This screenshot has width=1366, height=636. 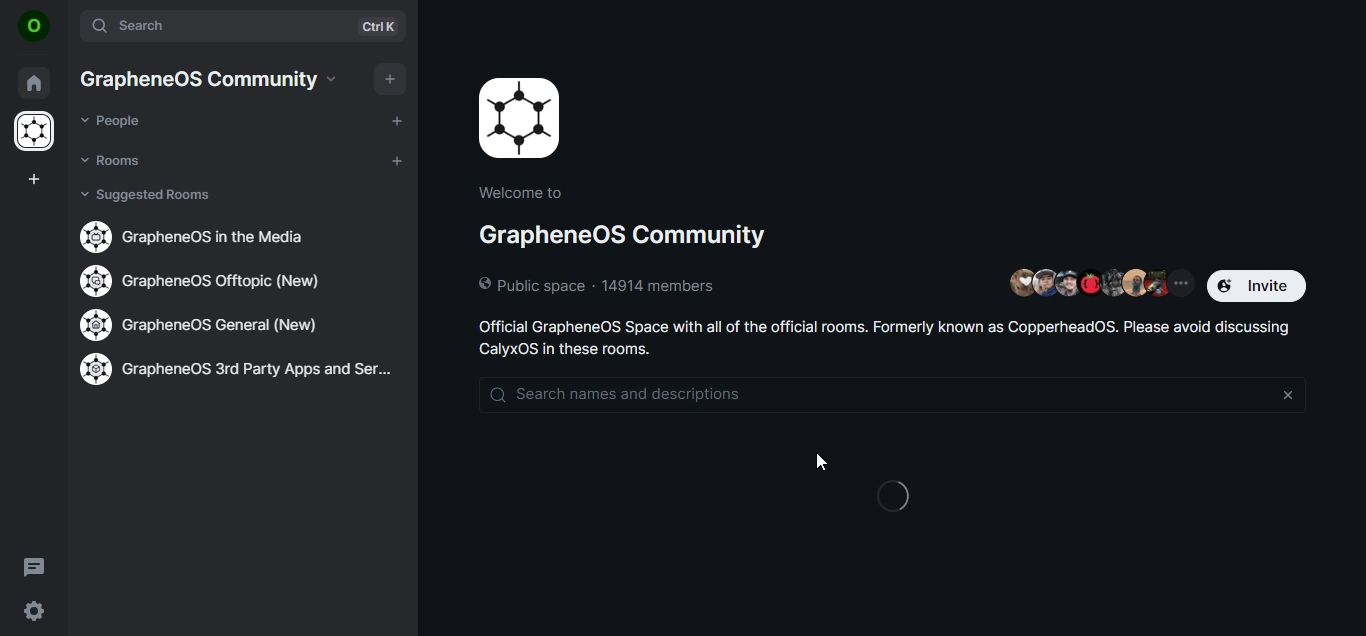 What do you see at coordinates (762, 394) in the screenshot?
I see `search names and descriptions` at bounding box center [762, 394].